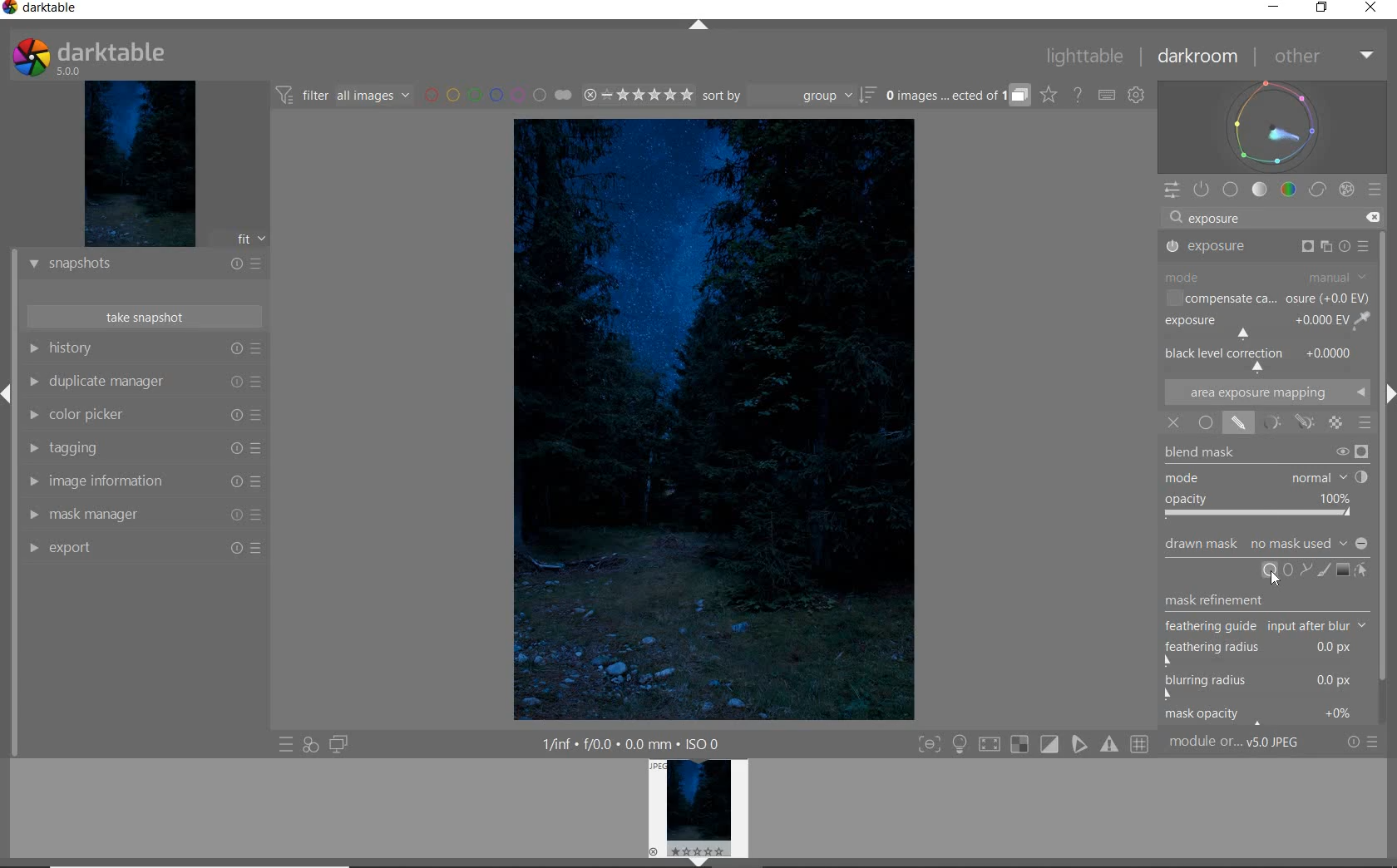 This screenshot has height=868, width=1397. I want to click on COLOR, so click(1291, 190).